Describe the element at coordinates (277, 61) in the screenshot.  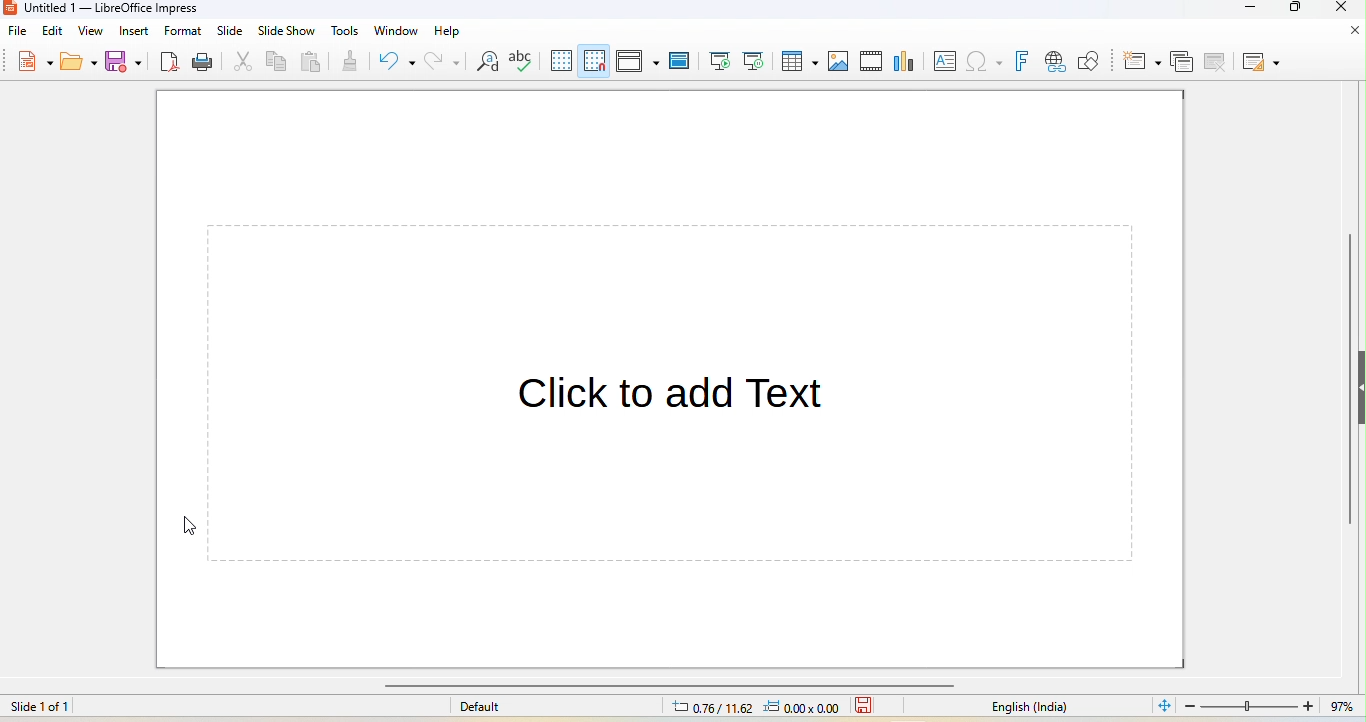
I see `copy` at that location.